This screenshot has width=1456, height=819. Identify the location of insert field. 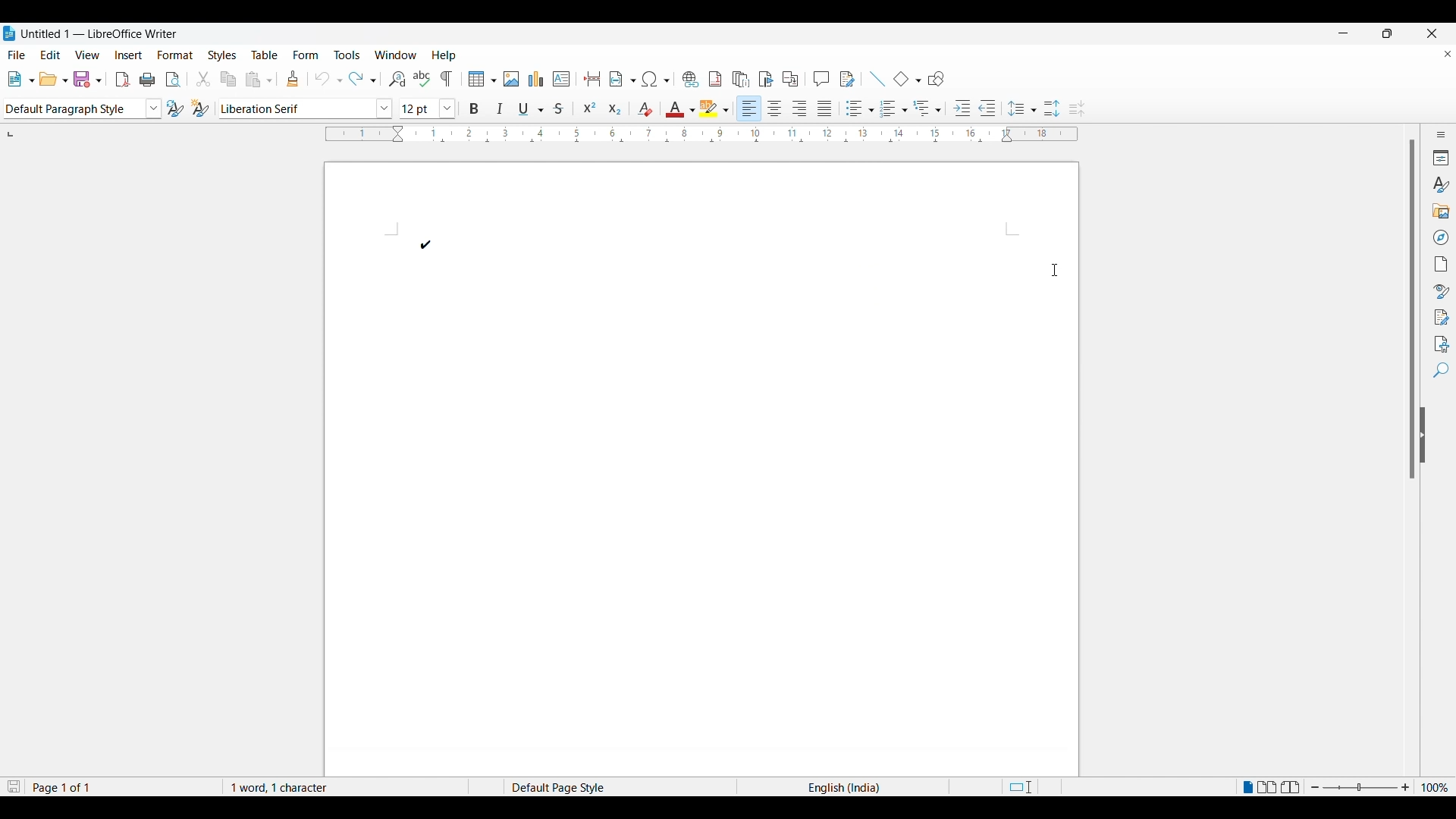
(621, 78).